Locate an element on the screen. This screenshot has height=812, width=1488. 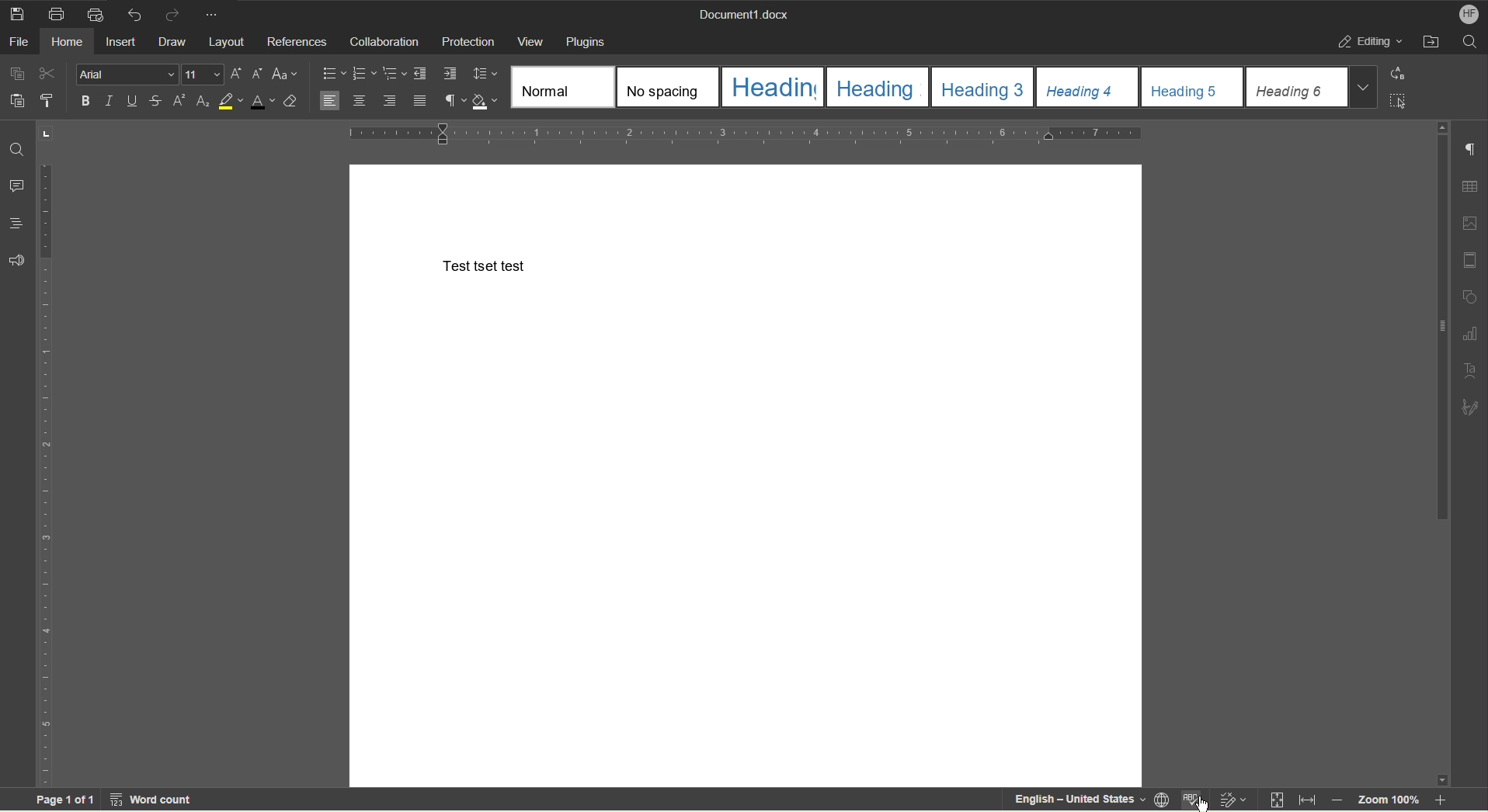
Highlight is located at coordinates (229, 102).